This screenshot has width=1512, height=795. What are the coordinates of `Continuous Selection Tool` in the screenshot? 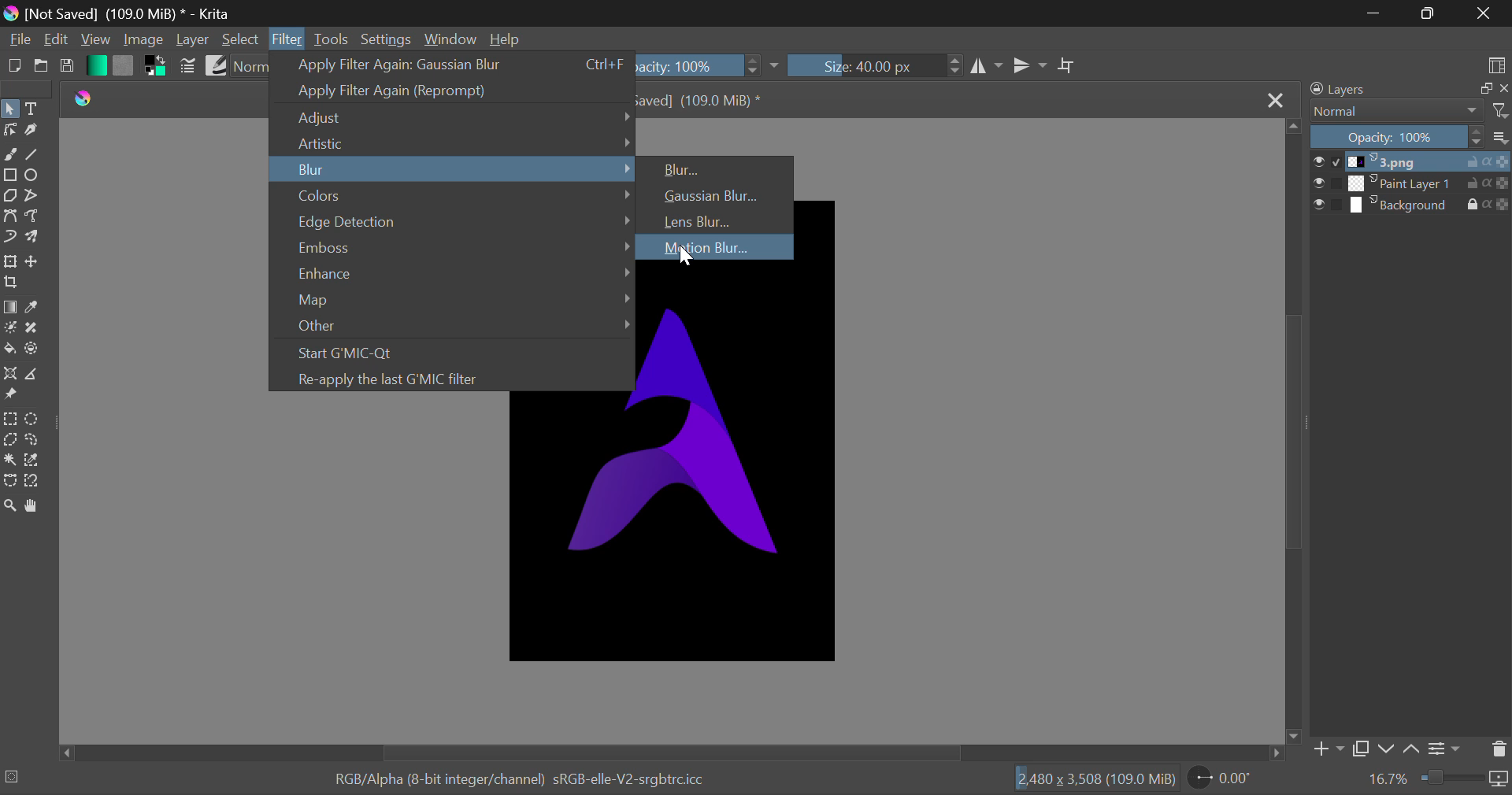 It's located at (9, 460).